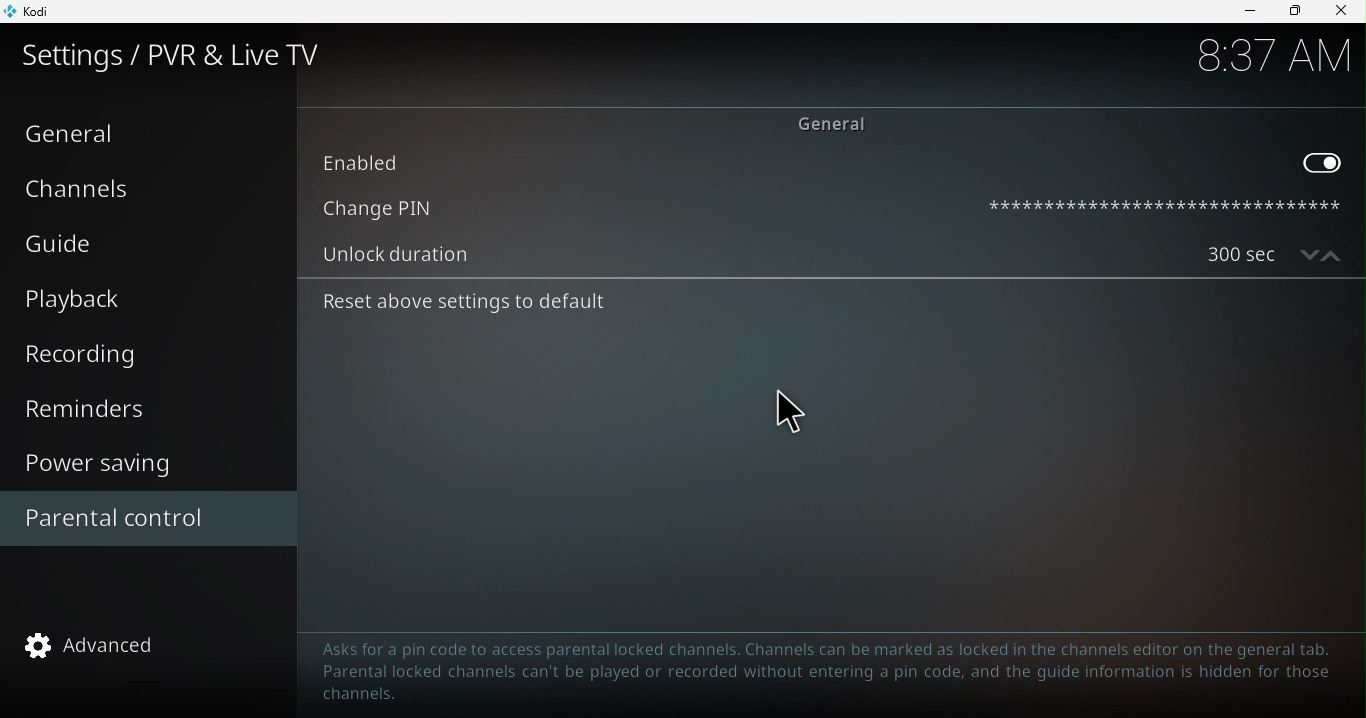 This screenshot has width=1366, height=718. What do you see at coordinates (1333, 253) in the screenshot?
I see `increase` at bounding box center [1333, 253].